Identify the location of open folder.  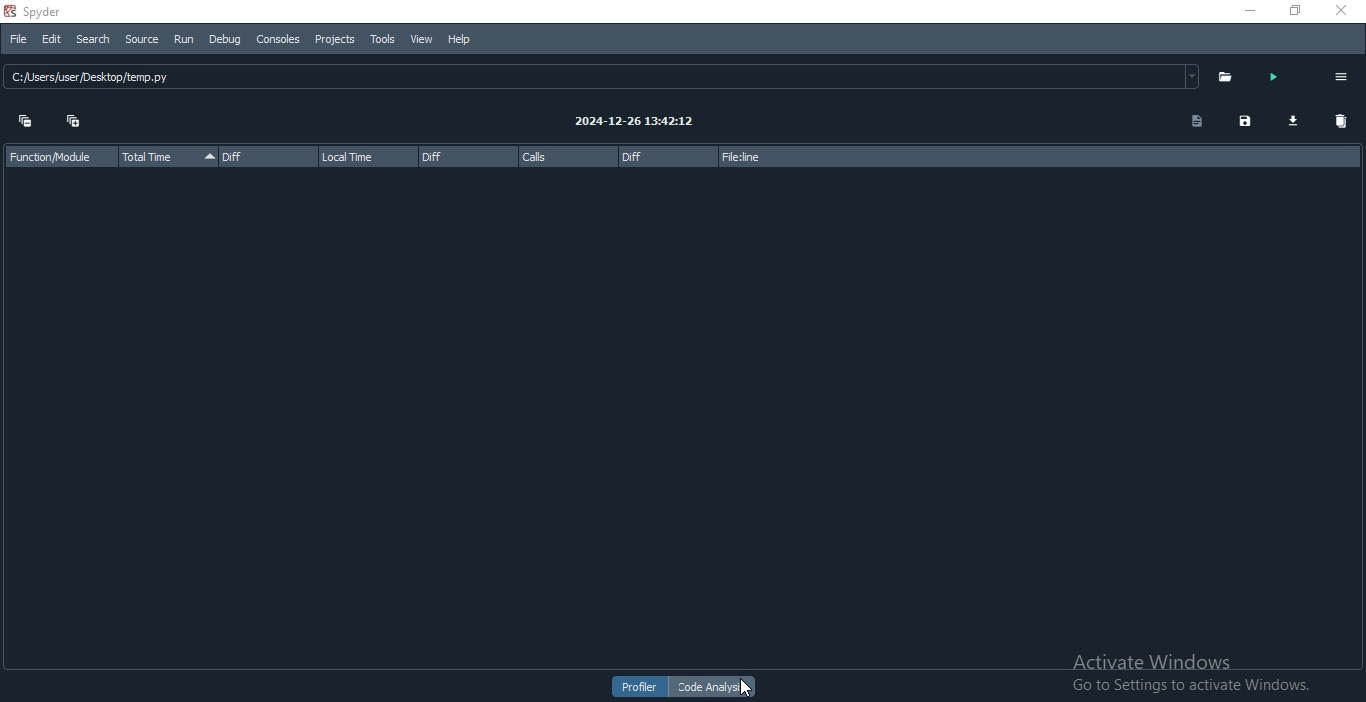
(1230, 75).